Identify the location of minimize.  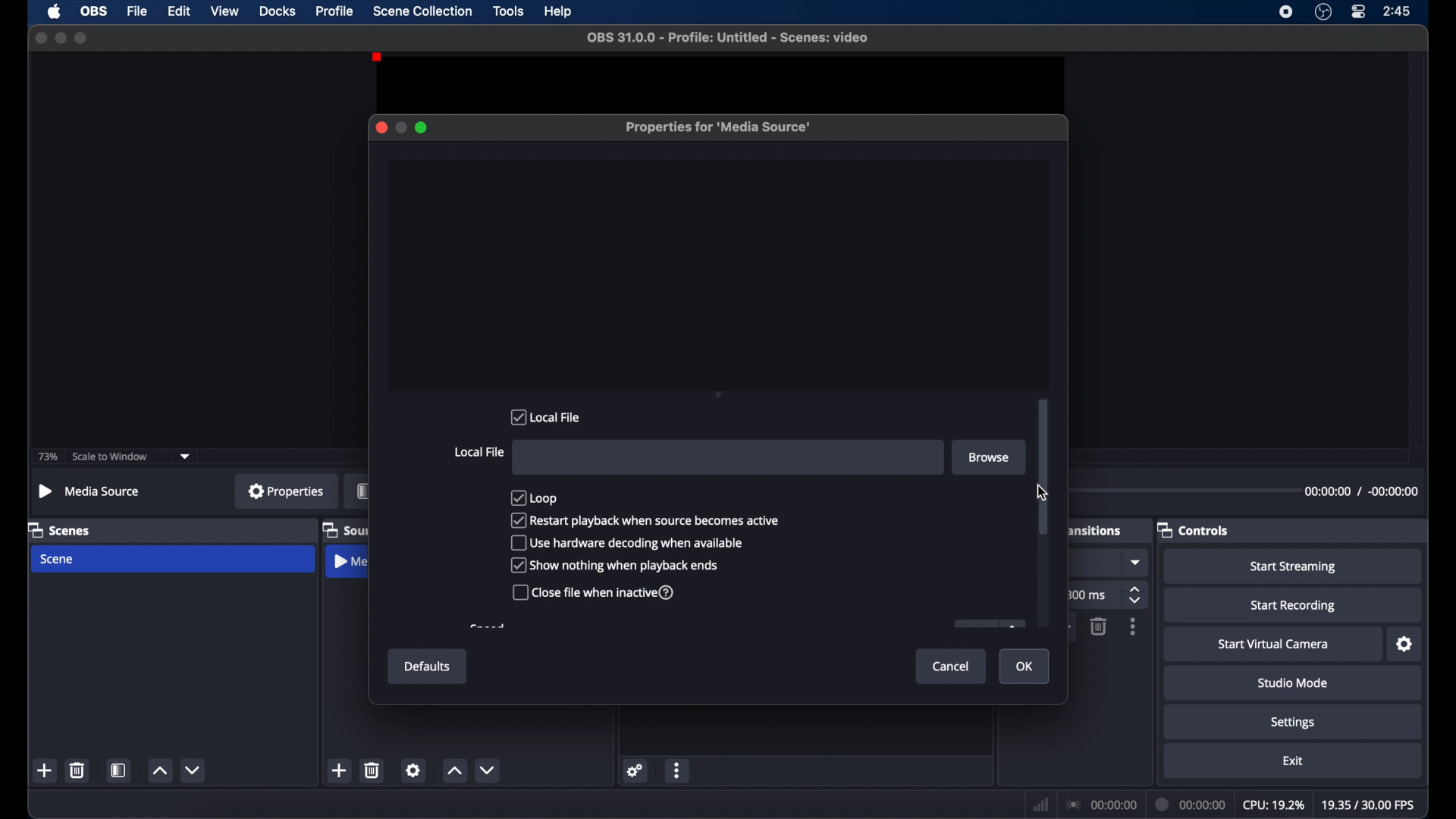
(400, 127).